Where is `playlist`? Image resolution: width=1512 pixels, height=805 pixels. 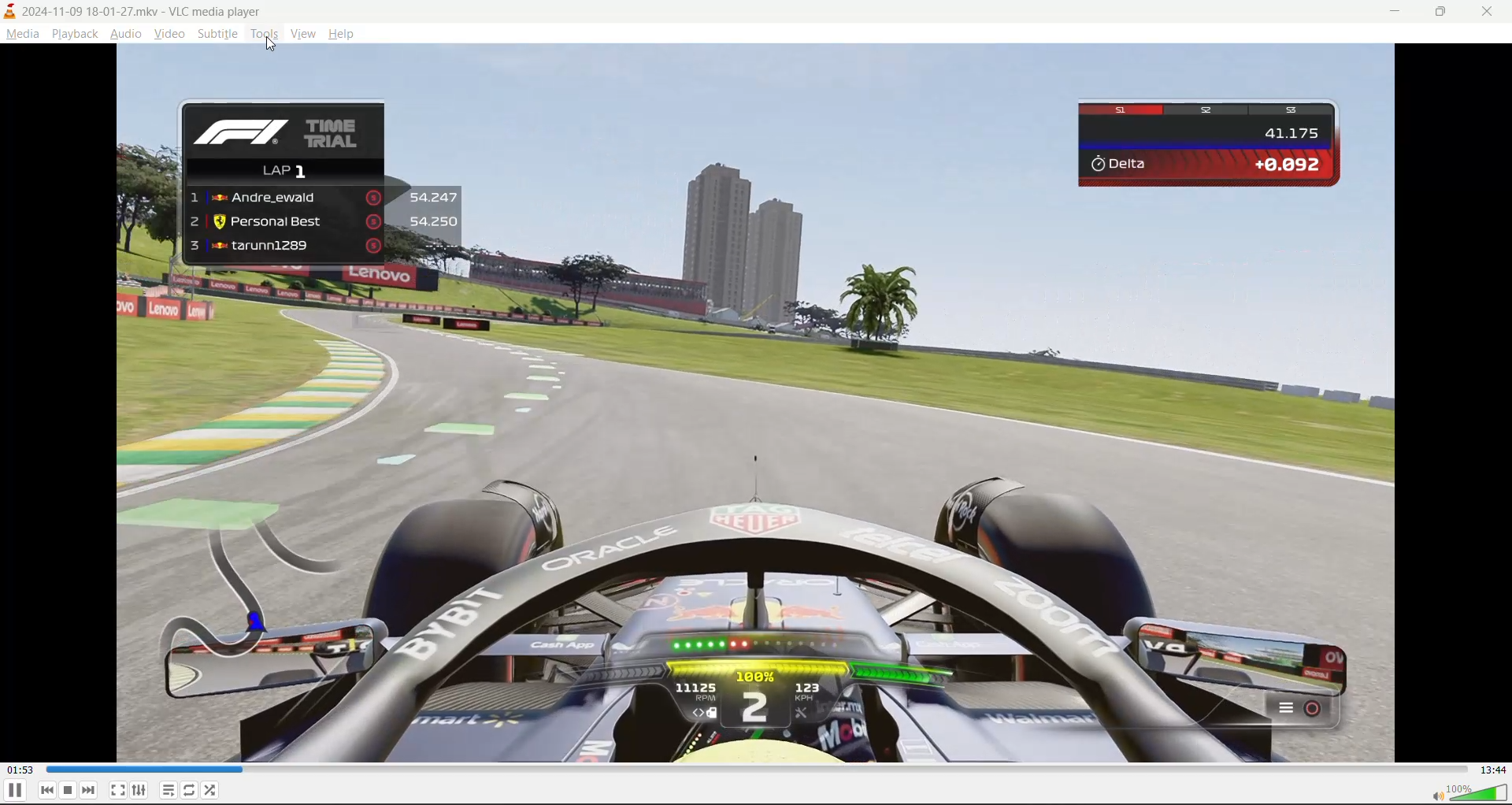 playlist is located at coordinates (169, 790).